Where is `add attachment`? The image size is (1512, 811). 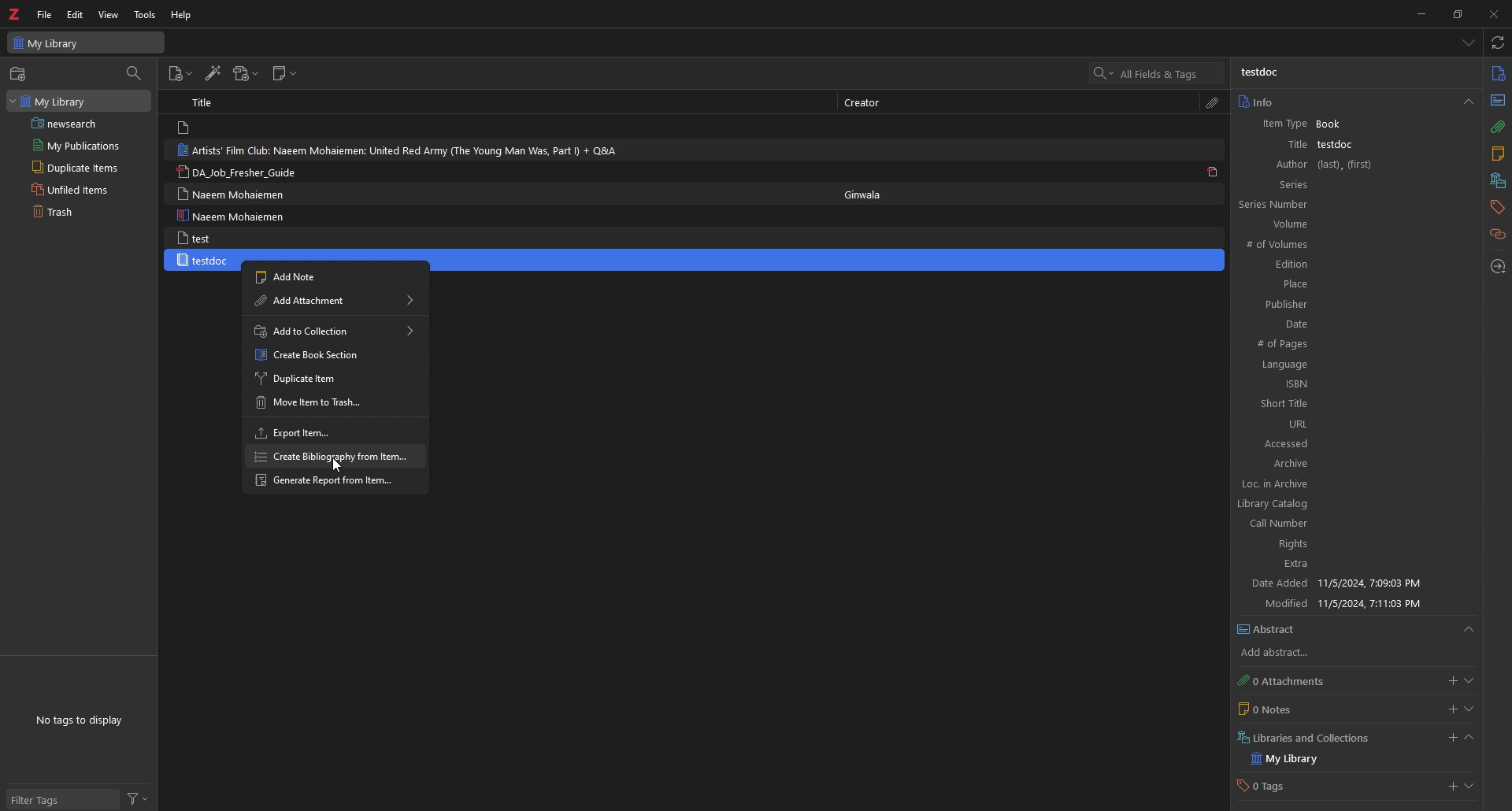
add attachment is located at coordinates (1450, 681).